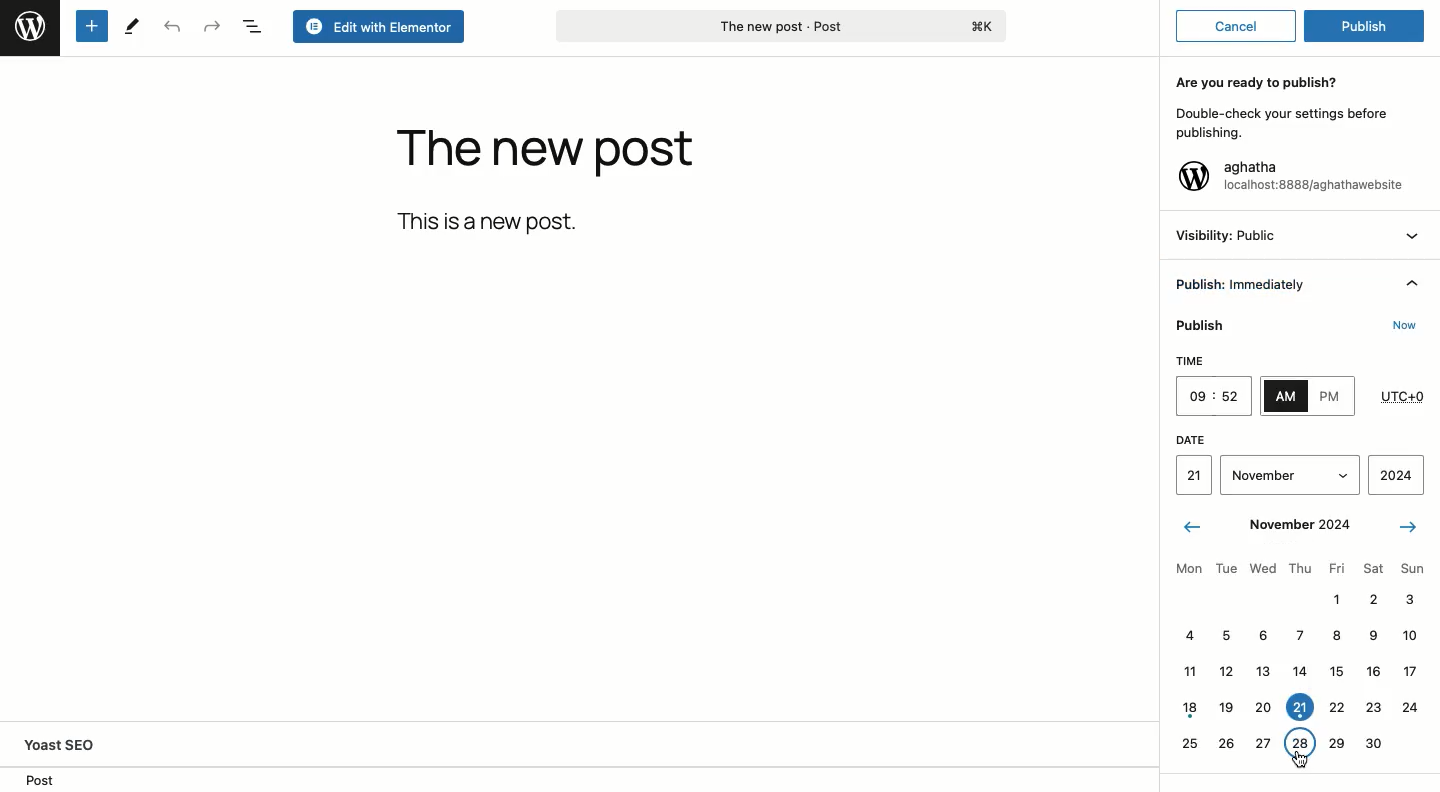 The height and width of the screenshot is (792, 1440). What do you see at coordinates (1187, 673) in the screenshot?
I see `11` at bounding box center [1187, 673].